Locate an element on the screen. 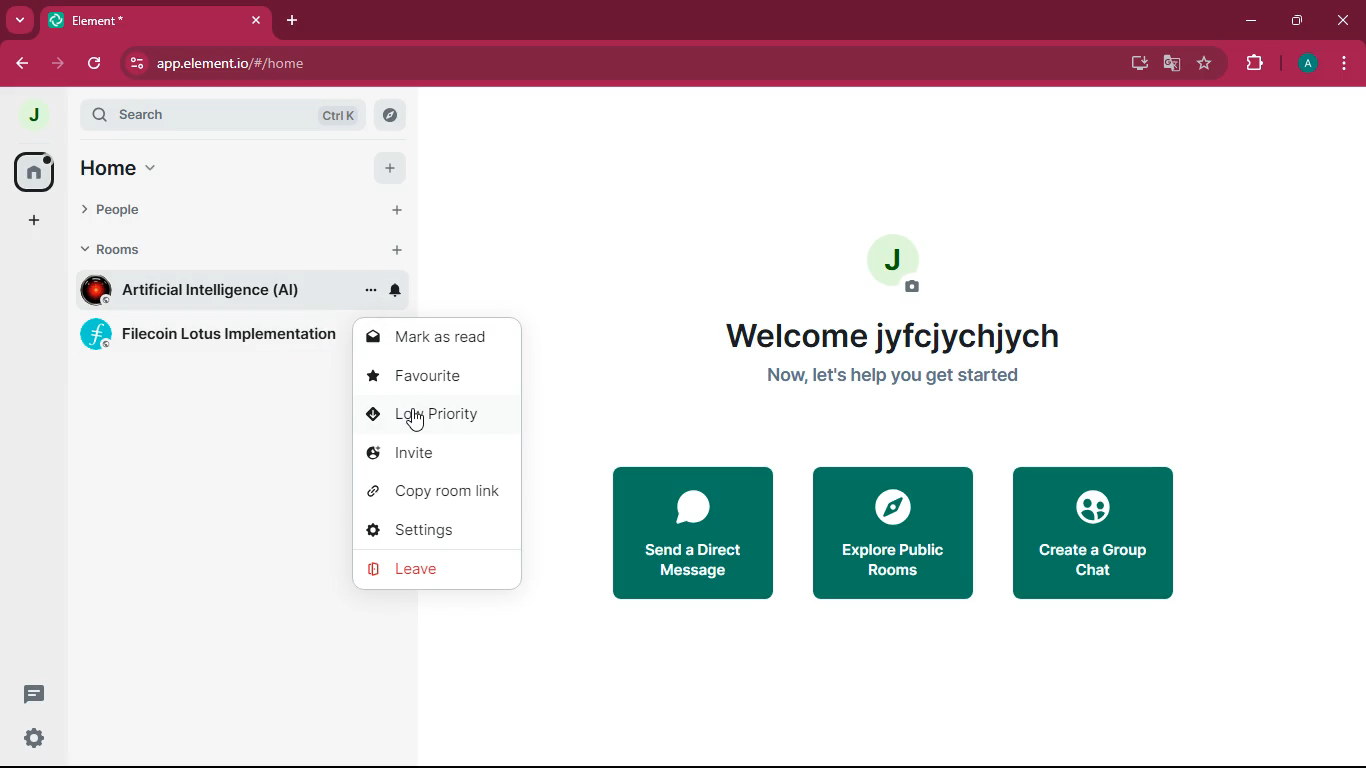  dd is located at coordinates (32, 224).